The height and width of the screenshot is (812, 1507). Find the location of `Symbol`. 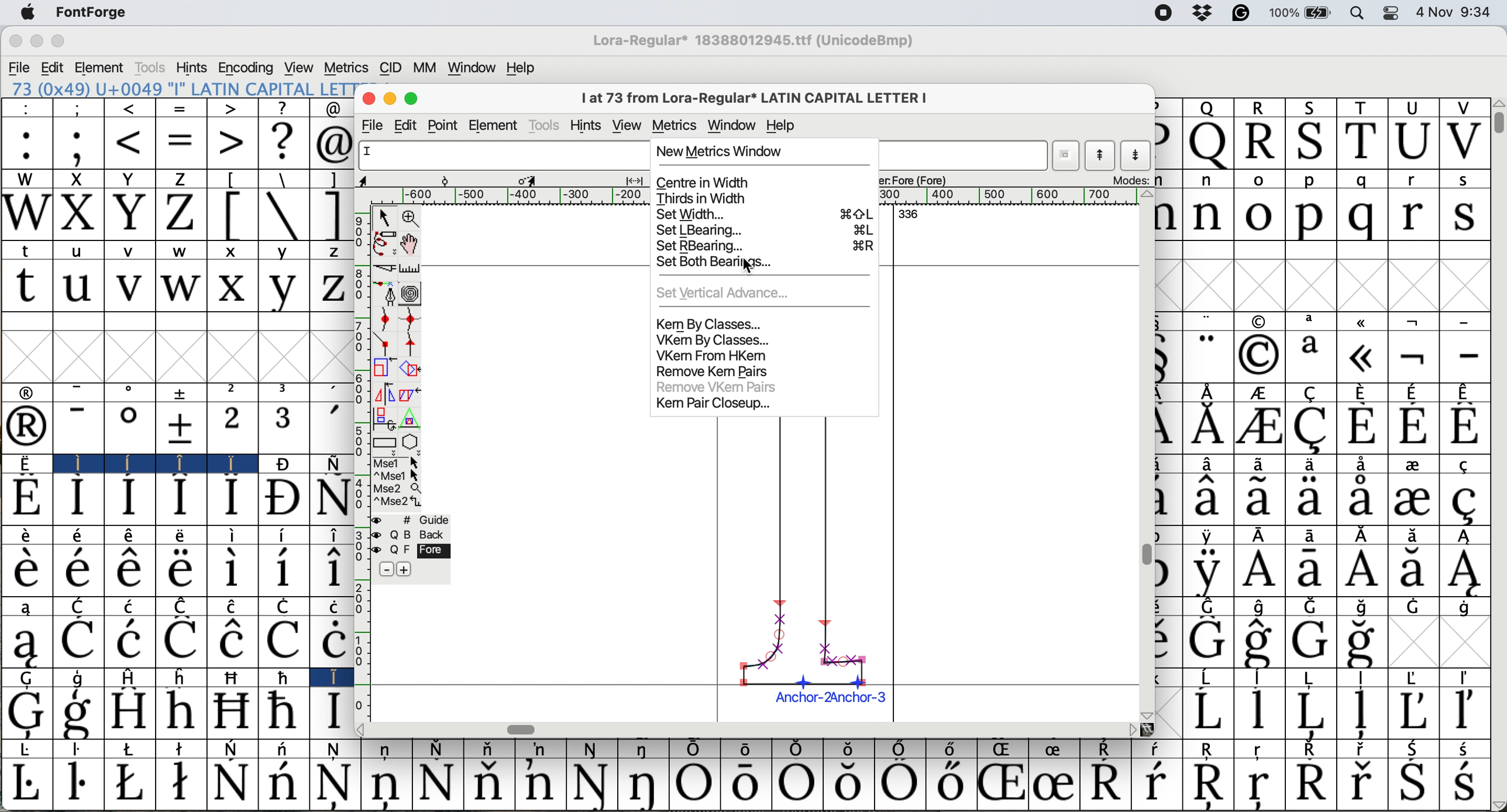

Symbol is located at coordinates (181, 641).